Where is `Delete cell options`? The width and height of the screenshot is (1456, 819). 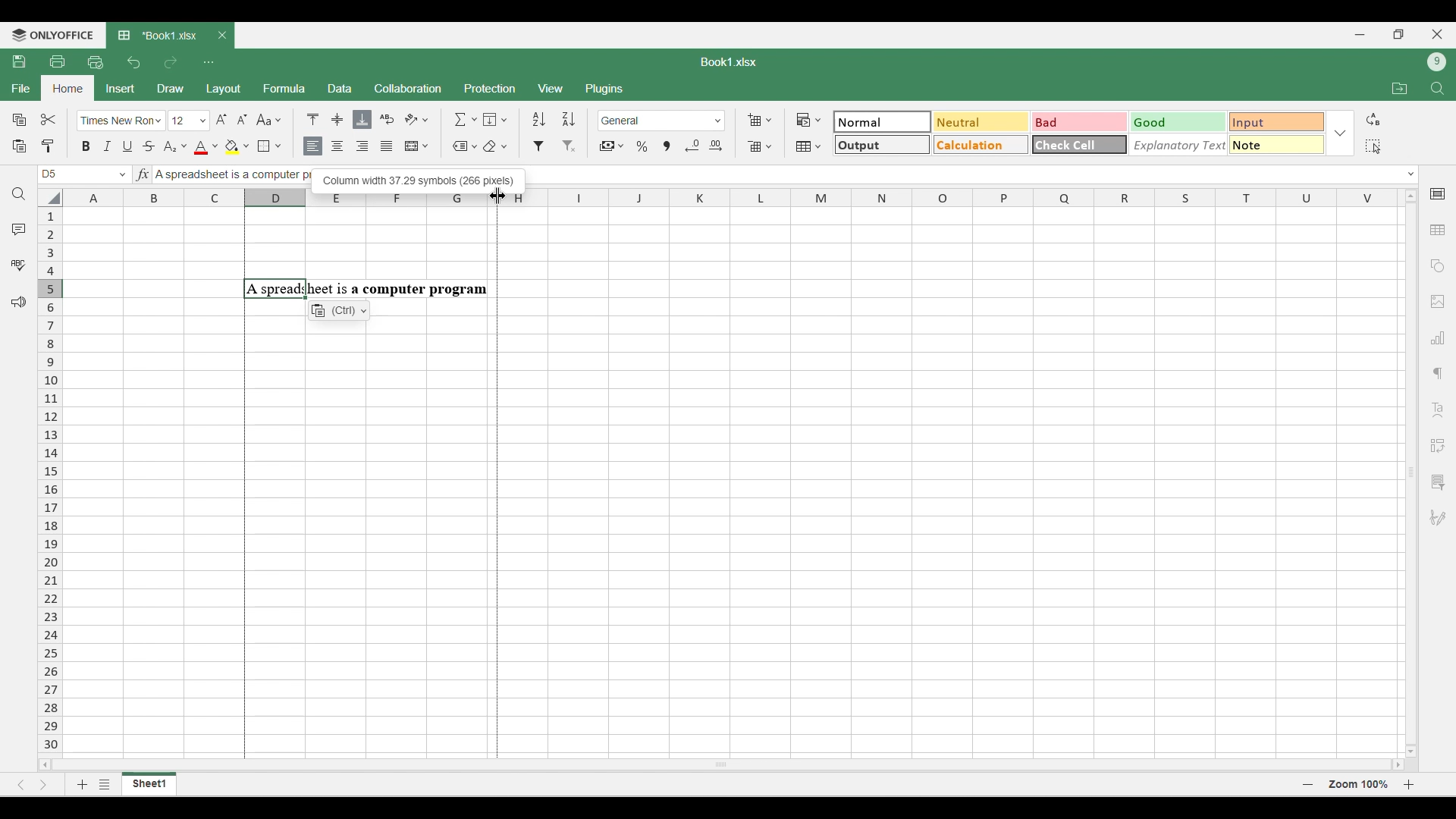 Delete cell options is located at coordinates (759, 146).